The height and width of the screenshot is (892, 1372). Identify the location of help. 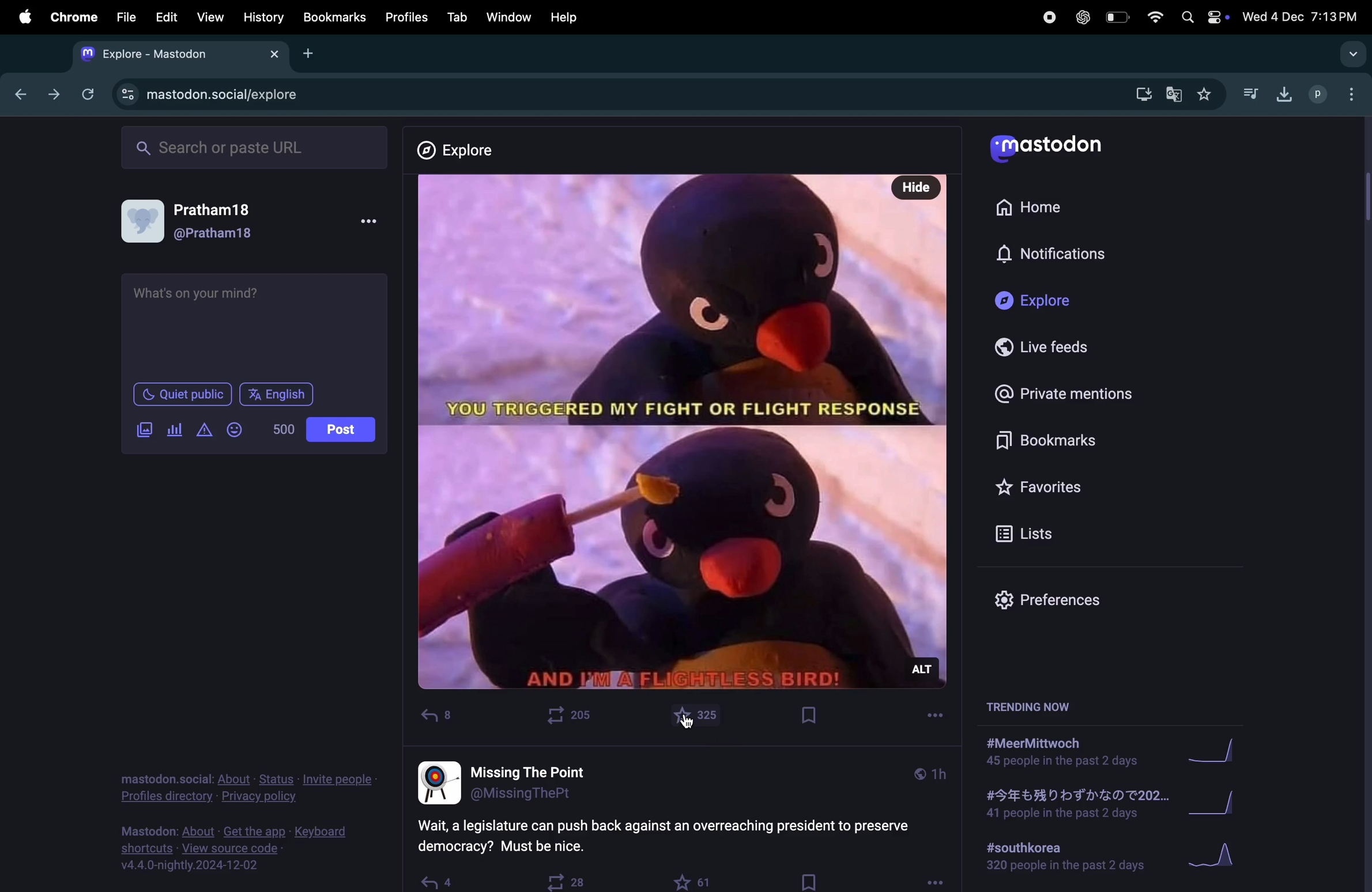
(566, 16).